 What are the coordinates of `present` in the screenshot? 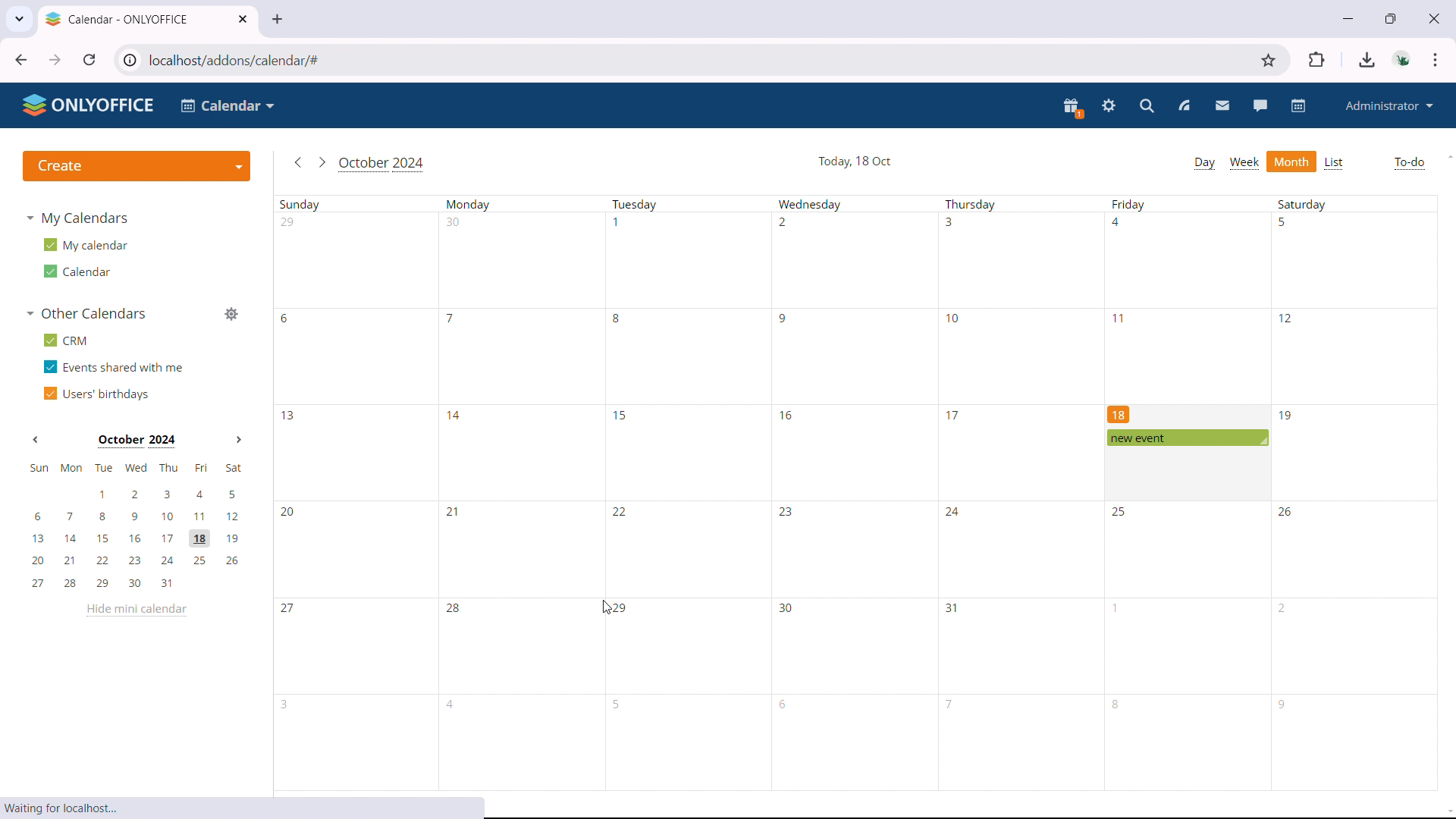 It's located at (1073, 108).